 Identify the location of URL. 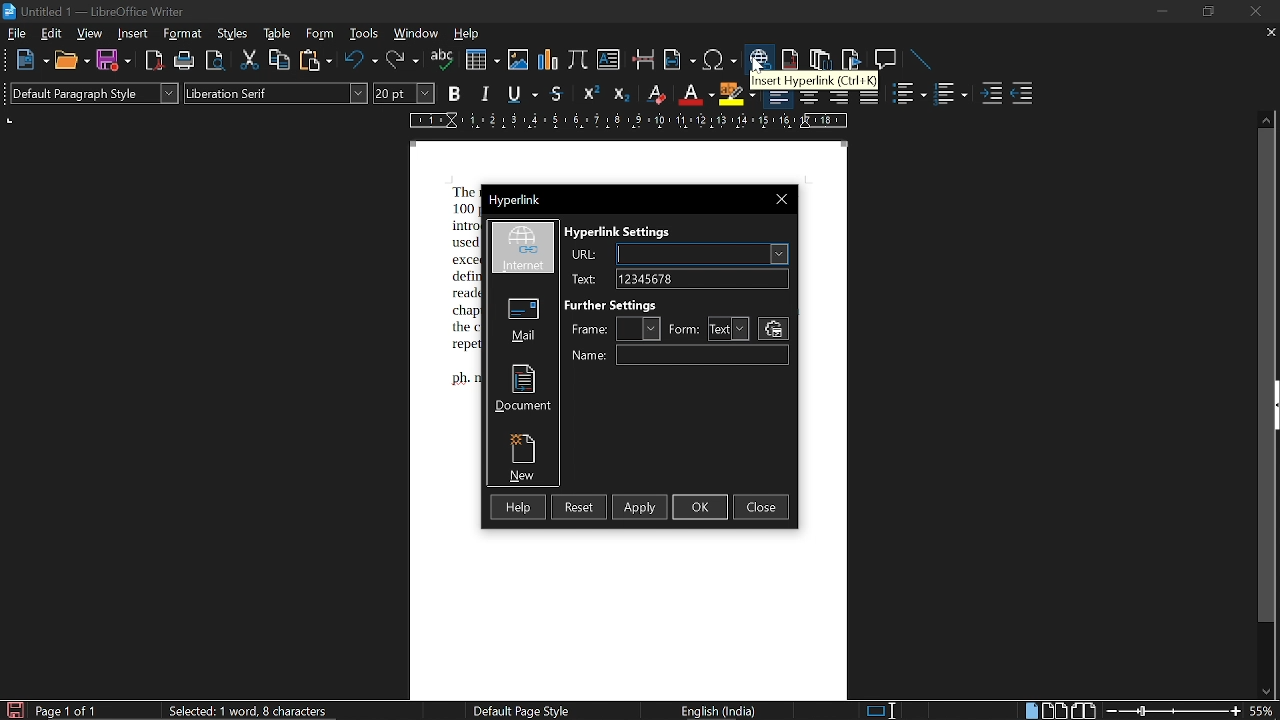
(702, 254).